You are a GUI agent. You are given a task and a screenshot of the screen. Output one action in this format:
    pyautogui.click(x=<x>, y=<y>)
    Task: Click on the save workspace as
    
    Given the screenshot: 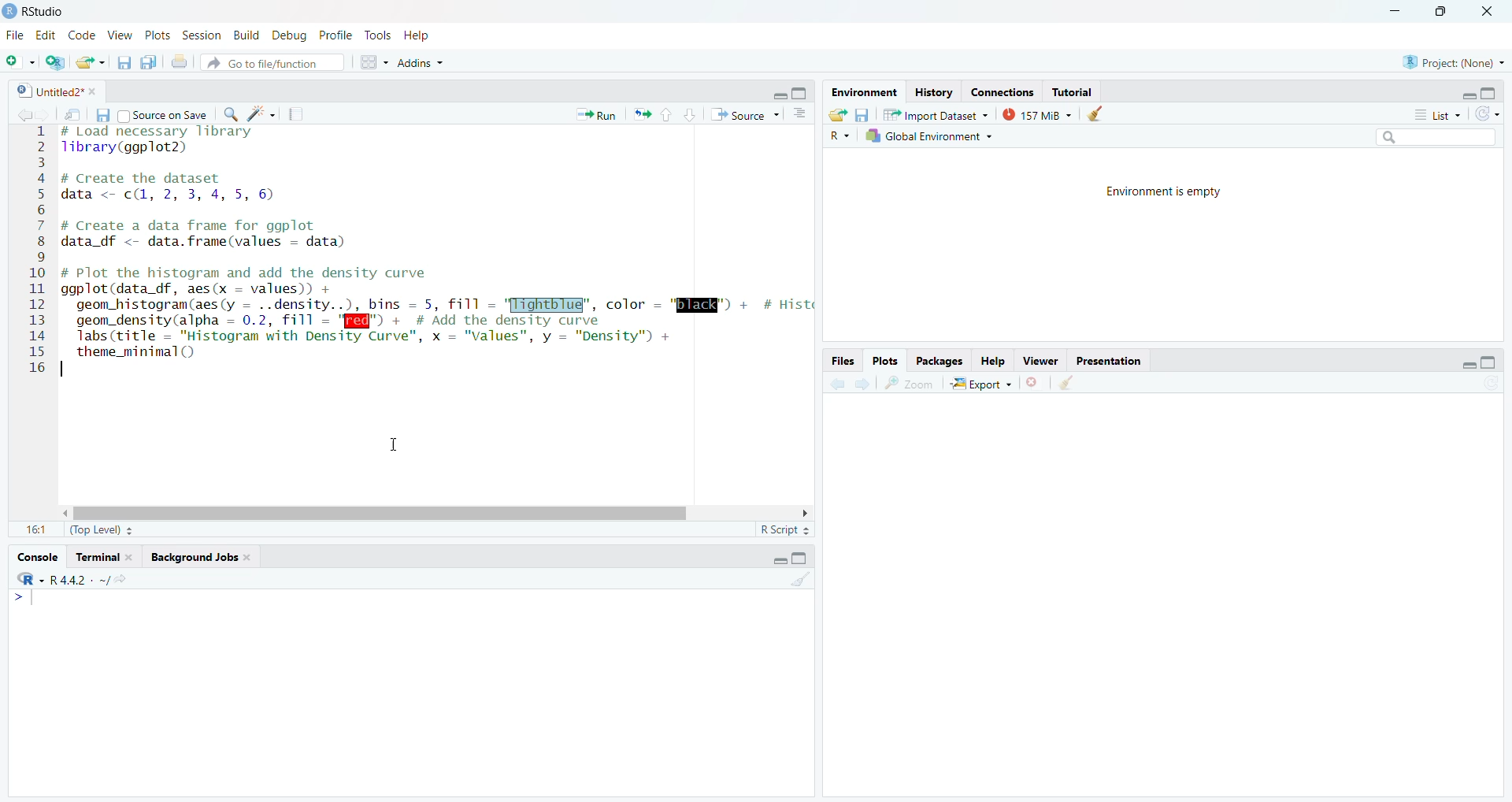 What is the action you would take?
    pyautogui.click(x=862, y=115)
    